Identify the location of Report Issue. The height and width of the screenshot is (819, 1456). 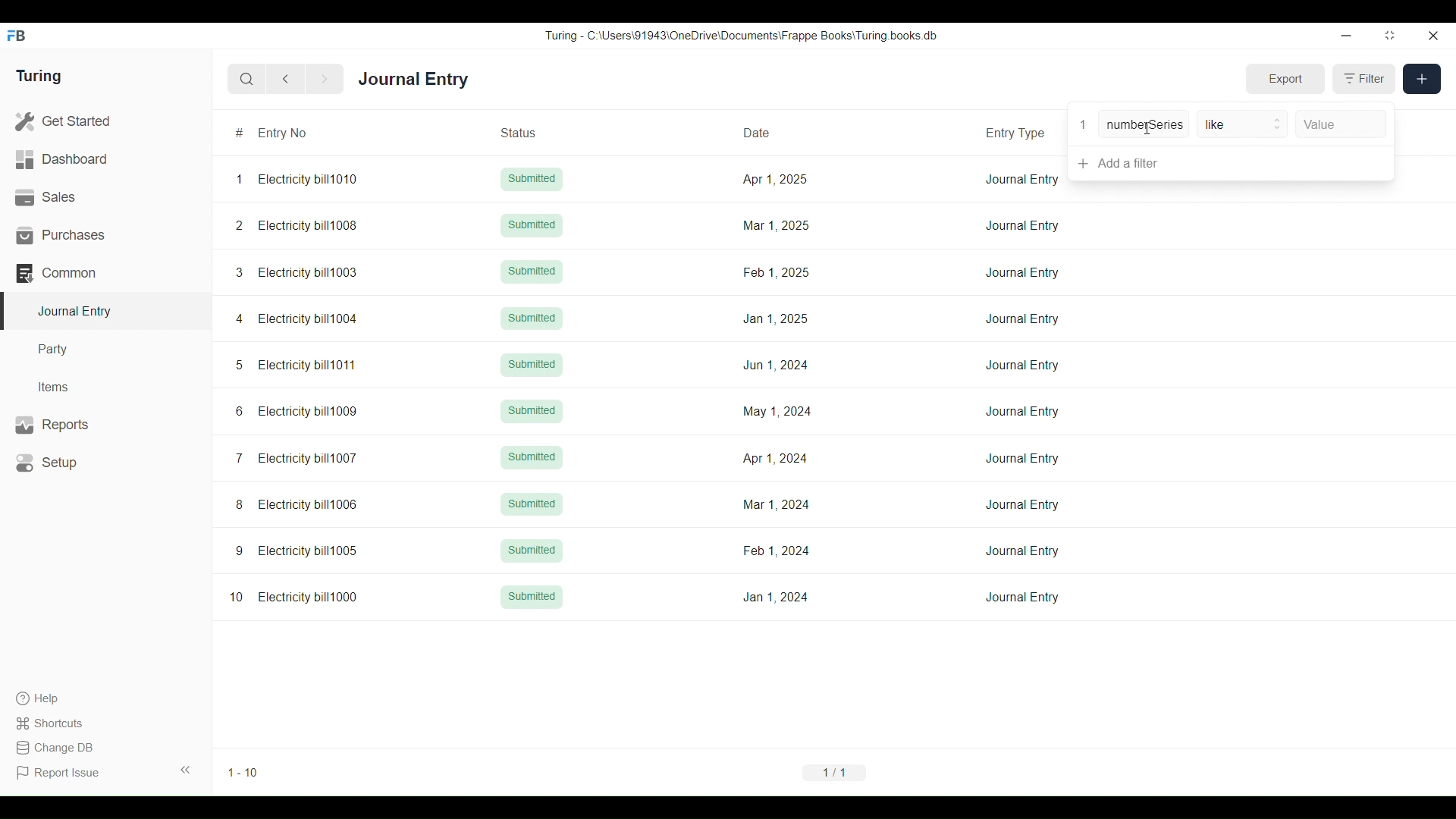
(58, 773).